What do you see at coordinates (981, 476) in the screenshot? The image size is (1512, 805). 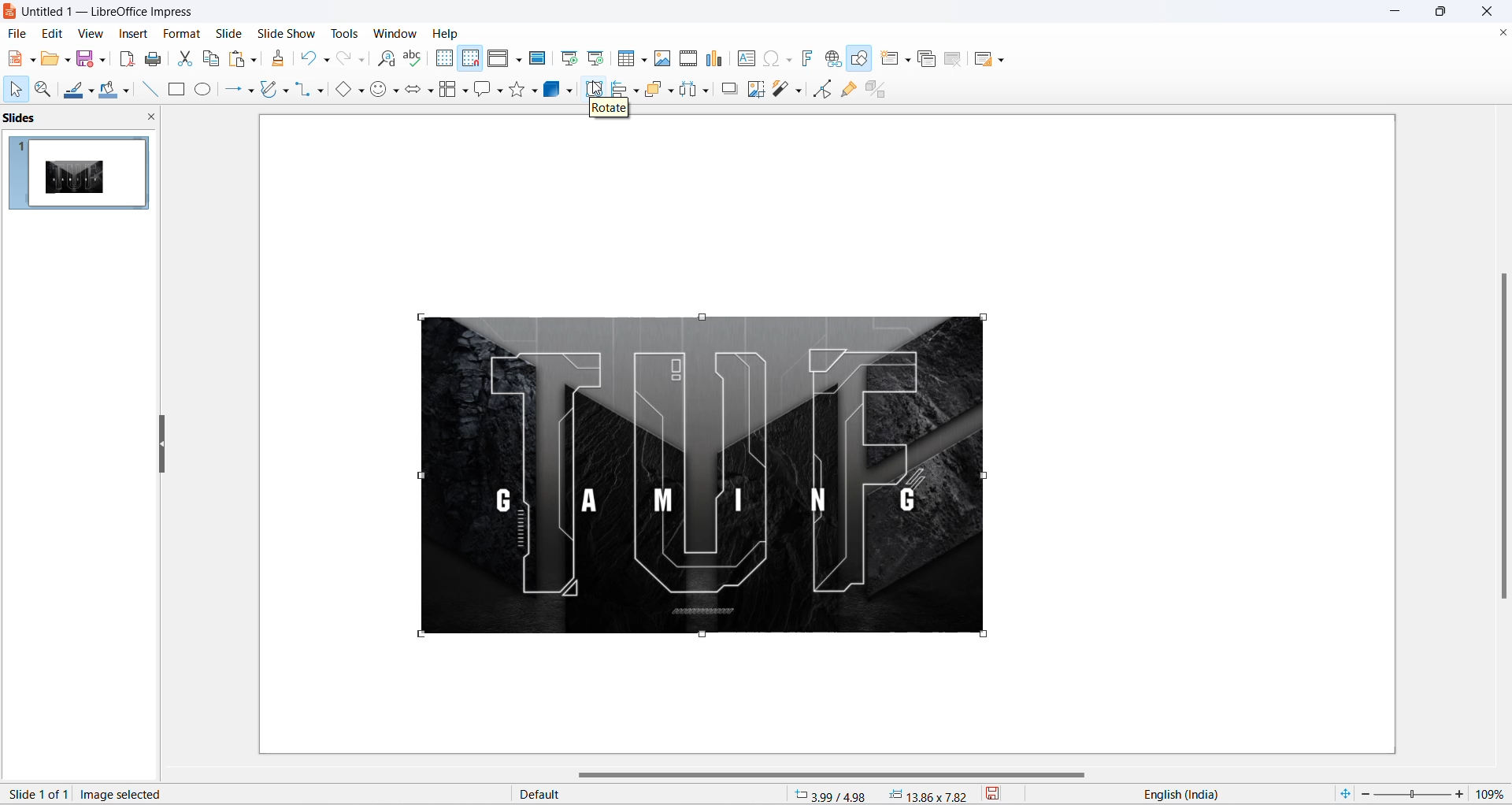 I see `image selection markup` at bounding box center [981, 476].